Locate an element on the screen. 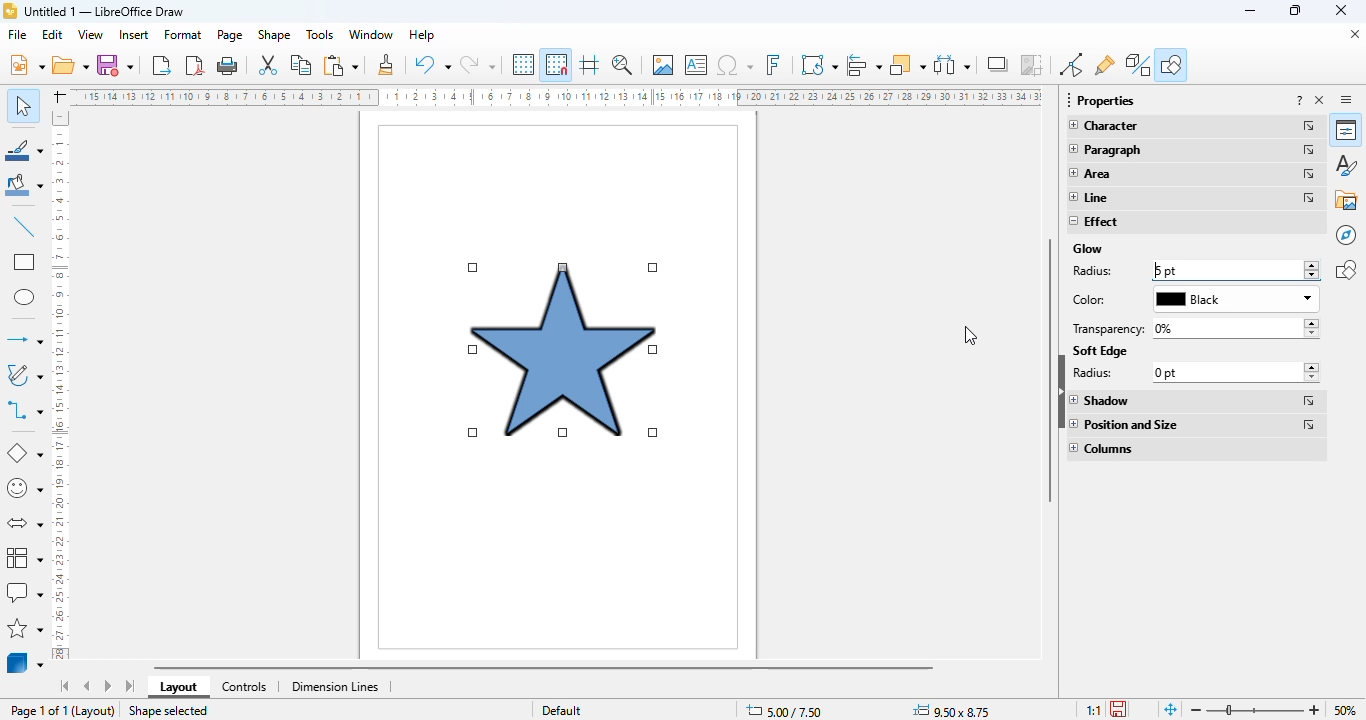 The width and height of the screenshot is (1366, 720). area is located at coordinates (1090, 173).